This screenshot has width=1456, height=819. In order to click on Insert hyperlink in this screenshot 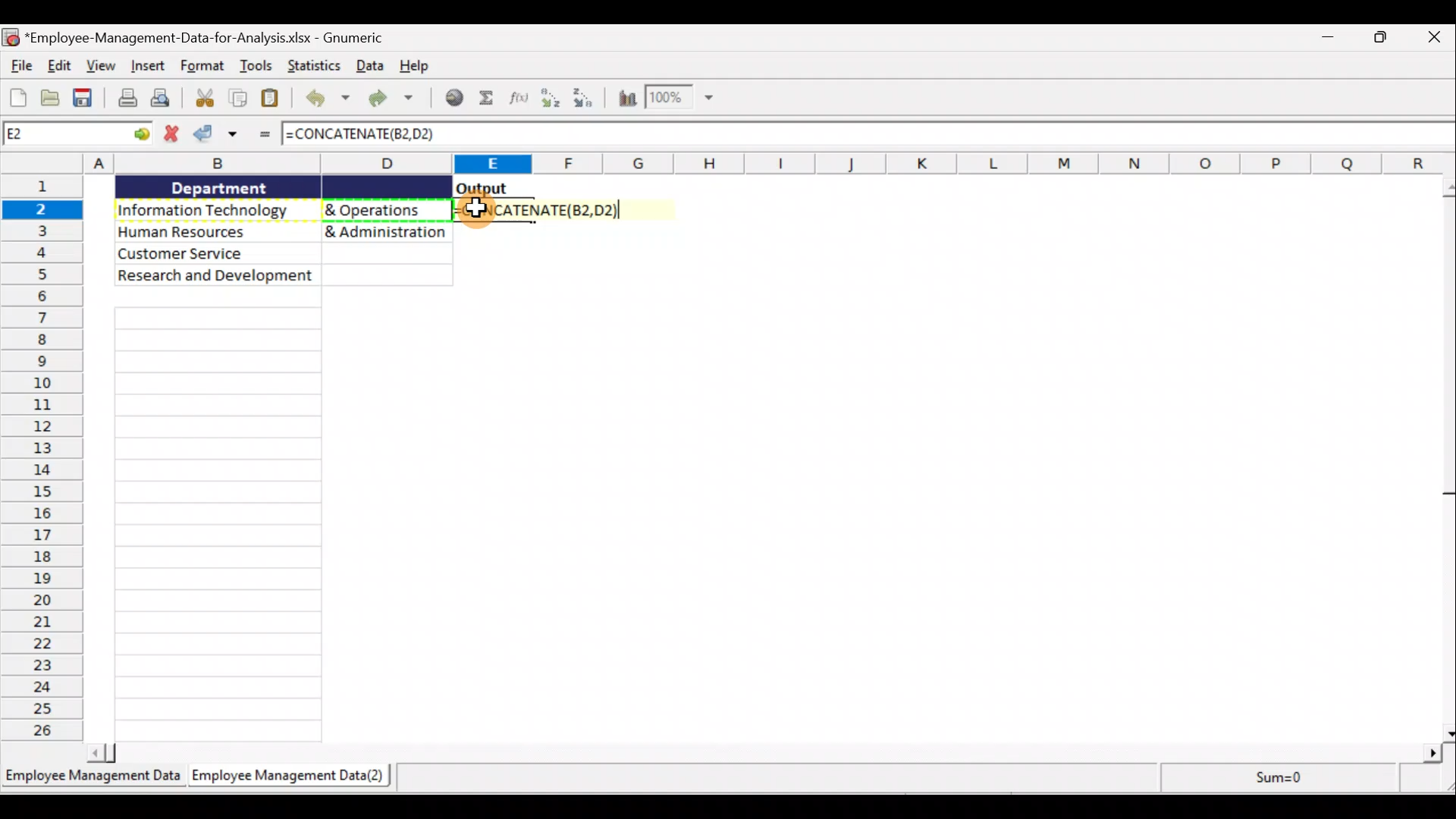, I will do `click(453, 99)`.